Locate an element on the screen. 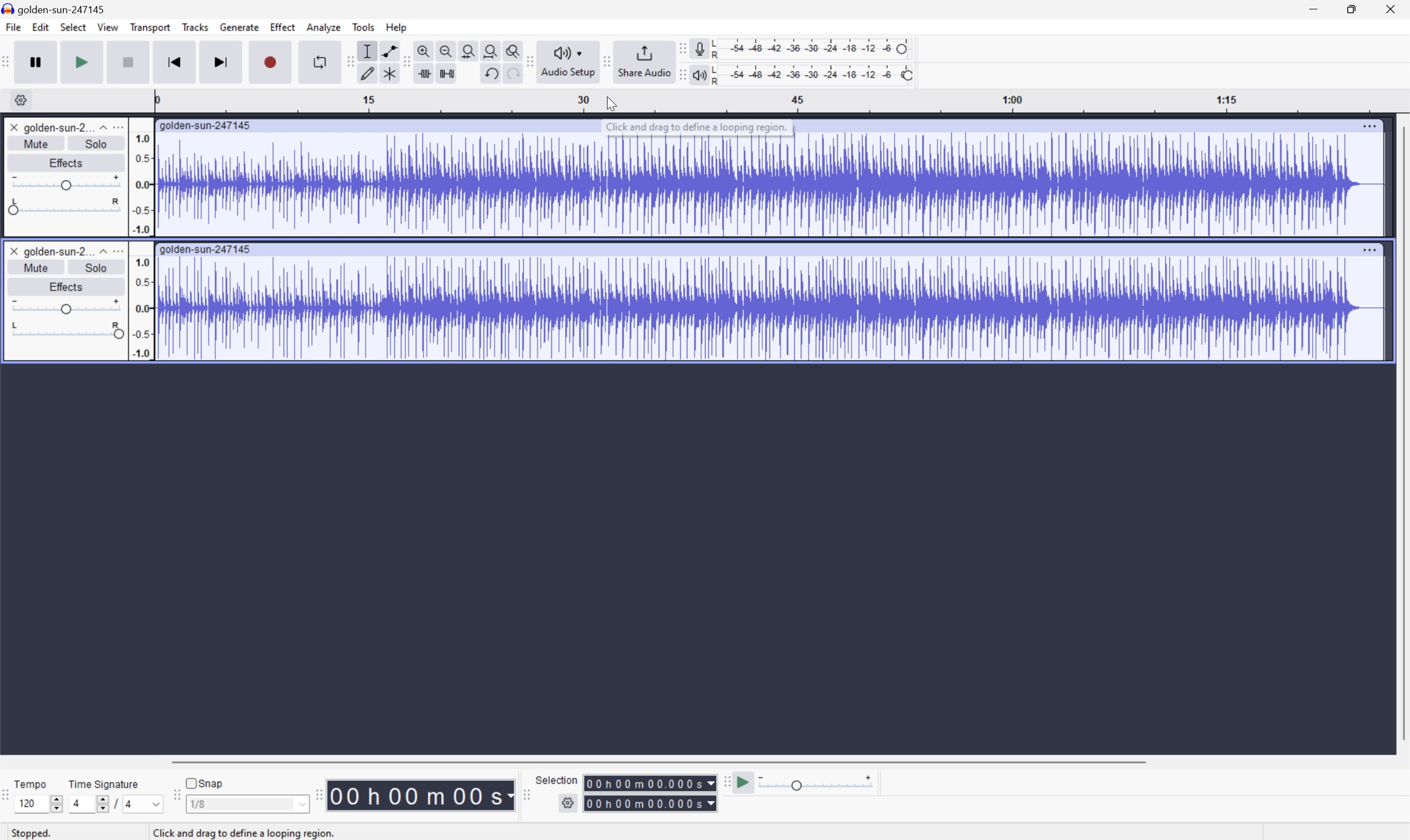 This screenshot has height=840, width=1410. Effects is located at coordinates (68, 163).